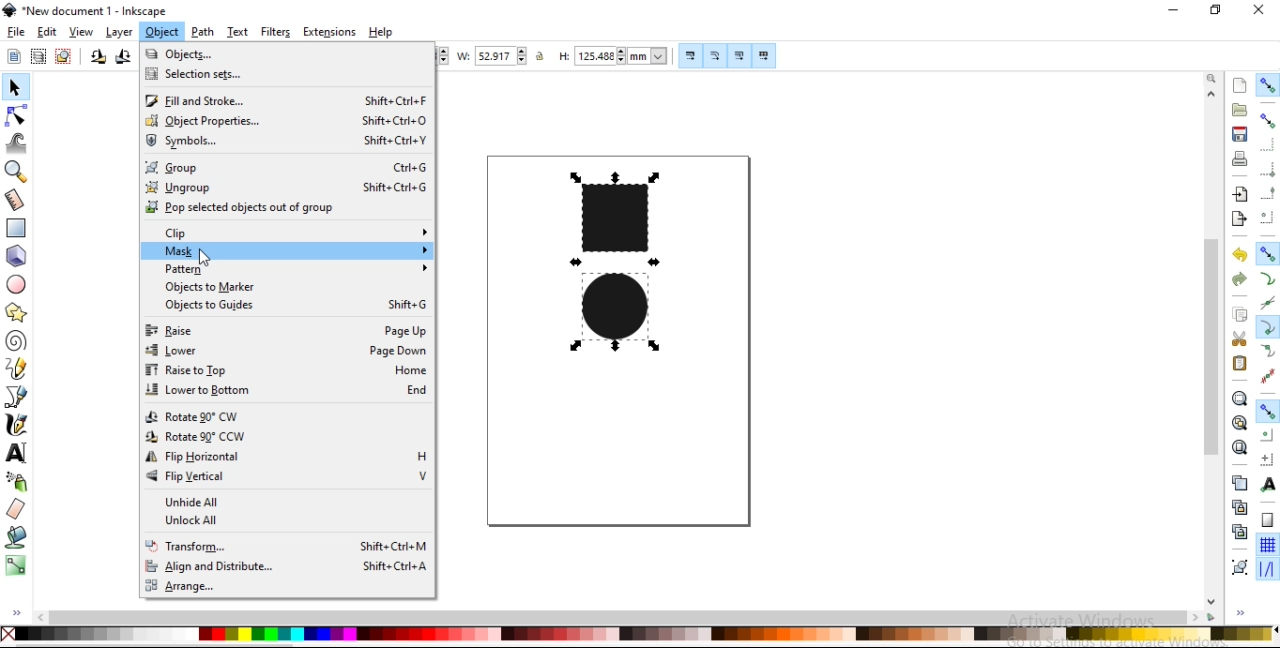 The width and height of the screenshot is (1280, 648). I want to click on save document, so click(1239, 133).